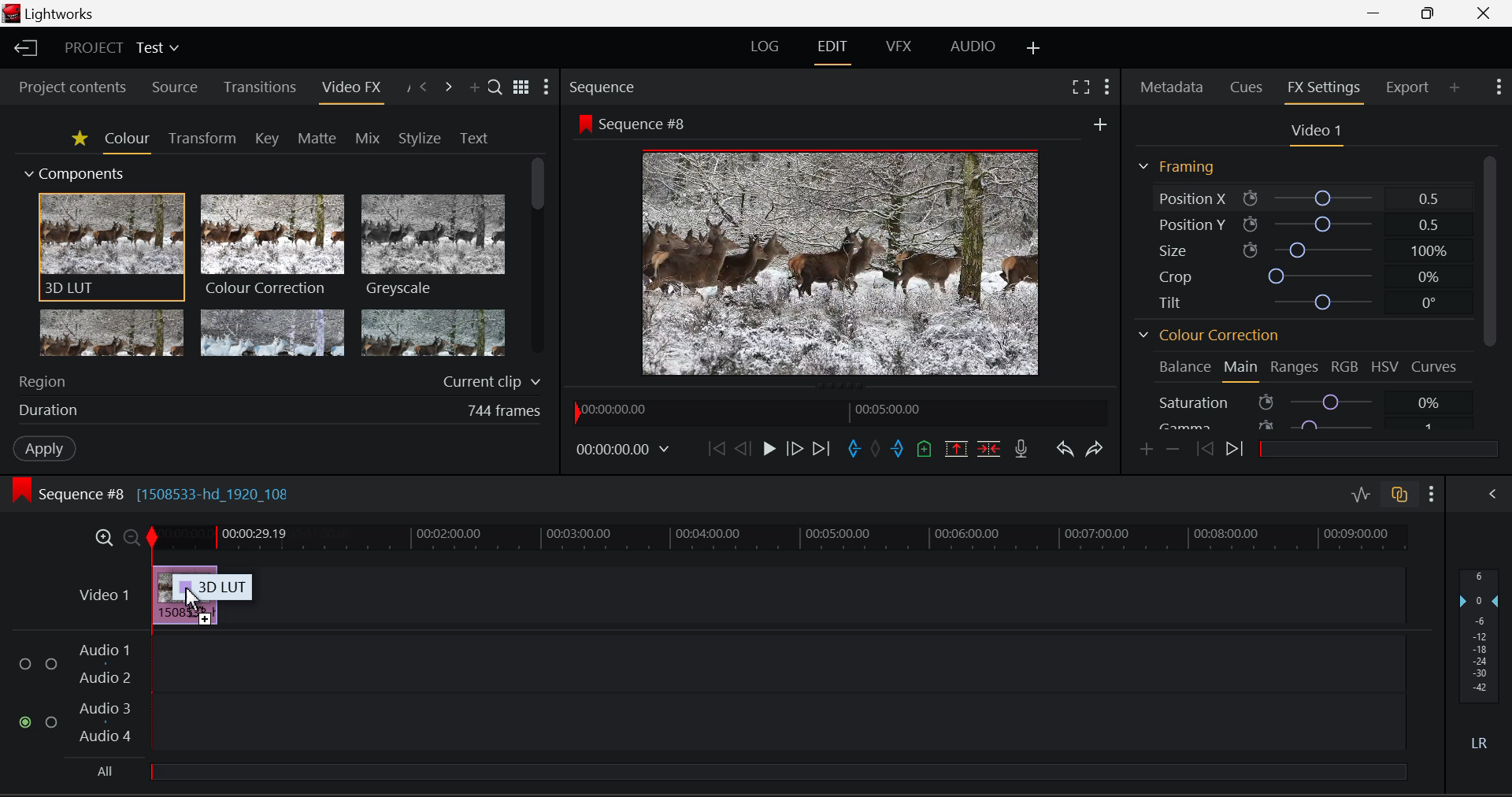 The width and height of the screenshot is (1512, 797). What do you see at coordinates (779, 661) in the screenshot?
I see `Audio Track` at bounding box center [779, 661].